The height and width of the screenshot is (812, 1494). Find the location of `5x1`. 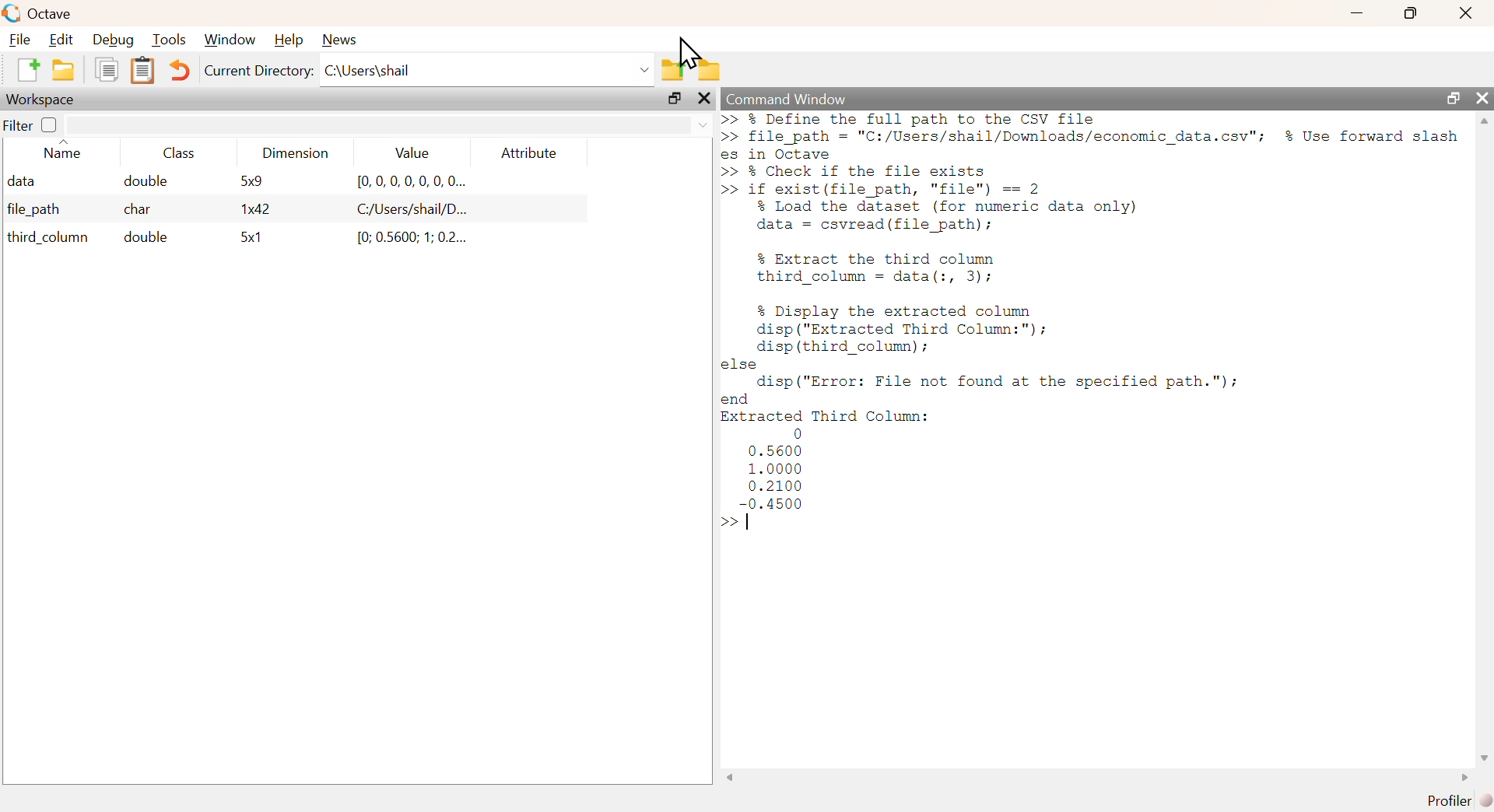

5x1 is located at coordinates (251, 240).